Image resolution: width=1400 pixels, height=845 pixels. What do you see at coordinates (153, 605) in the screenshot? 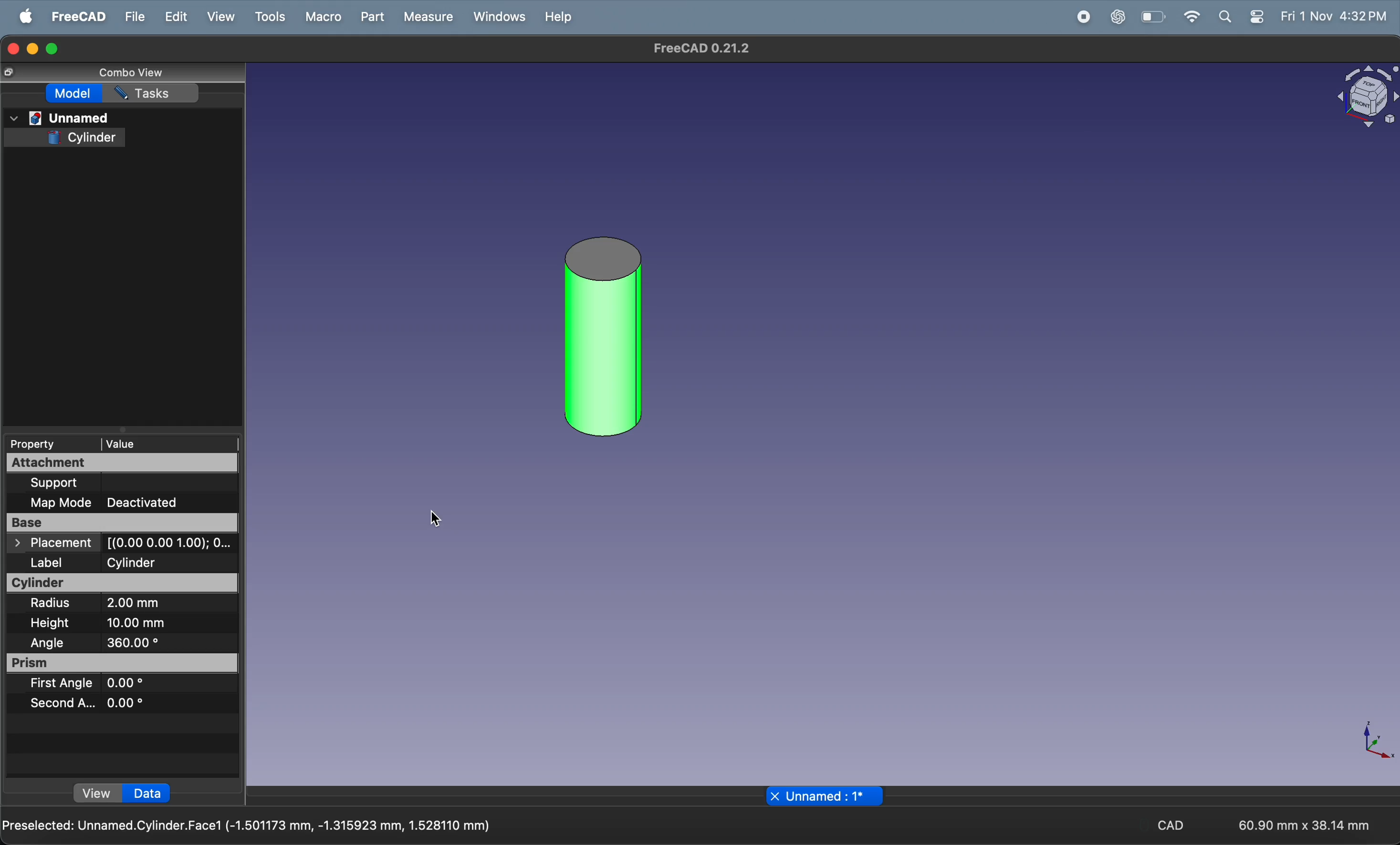
I see `2.00 mm` at bounding box center [153, 605].